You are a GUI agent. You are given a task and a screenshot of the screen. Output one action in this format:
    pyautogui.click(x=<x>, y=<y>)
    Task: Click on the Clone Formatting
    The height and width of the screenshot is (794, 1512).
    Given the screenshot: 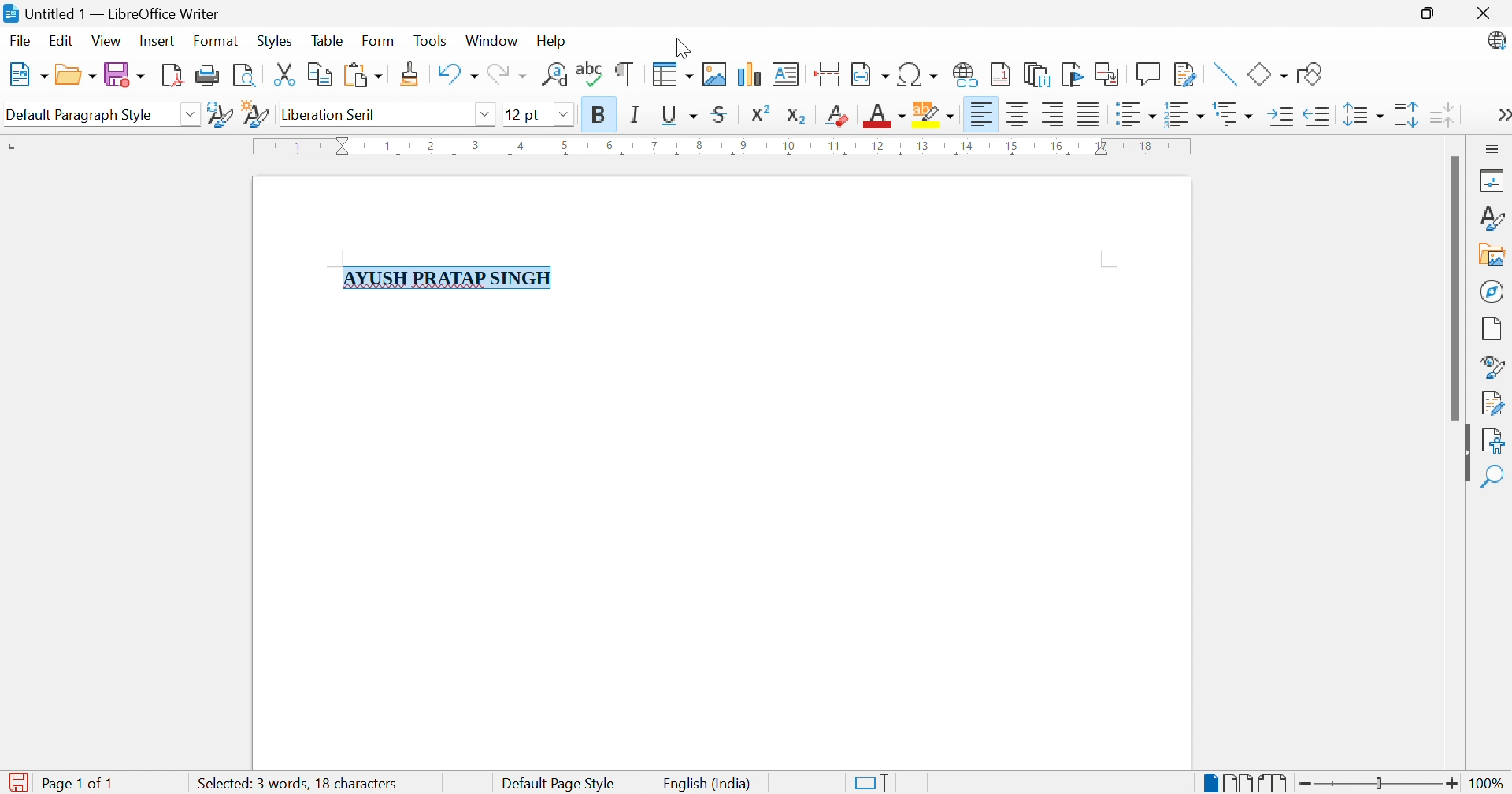 What is the action you would take?
    pyautogui.click(x=410, y=73)
    